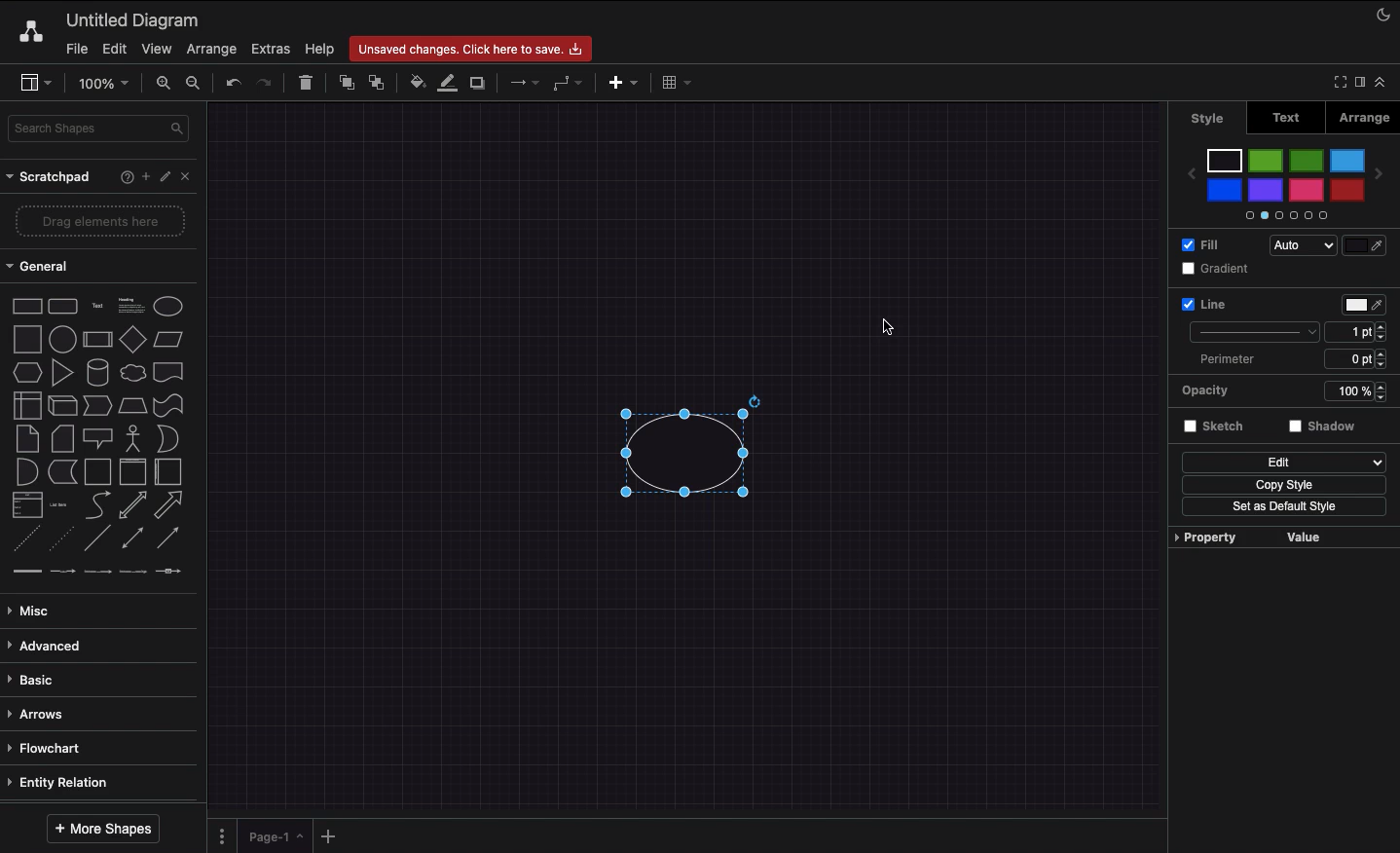 This screenshot has width=1400, height=853. What do you see at coordinates (171, 404) in the screenshot?
I see `Tape` at bounding box center [171, 404].